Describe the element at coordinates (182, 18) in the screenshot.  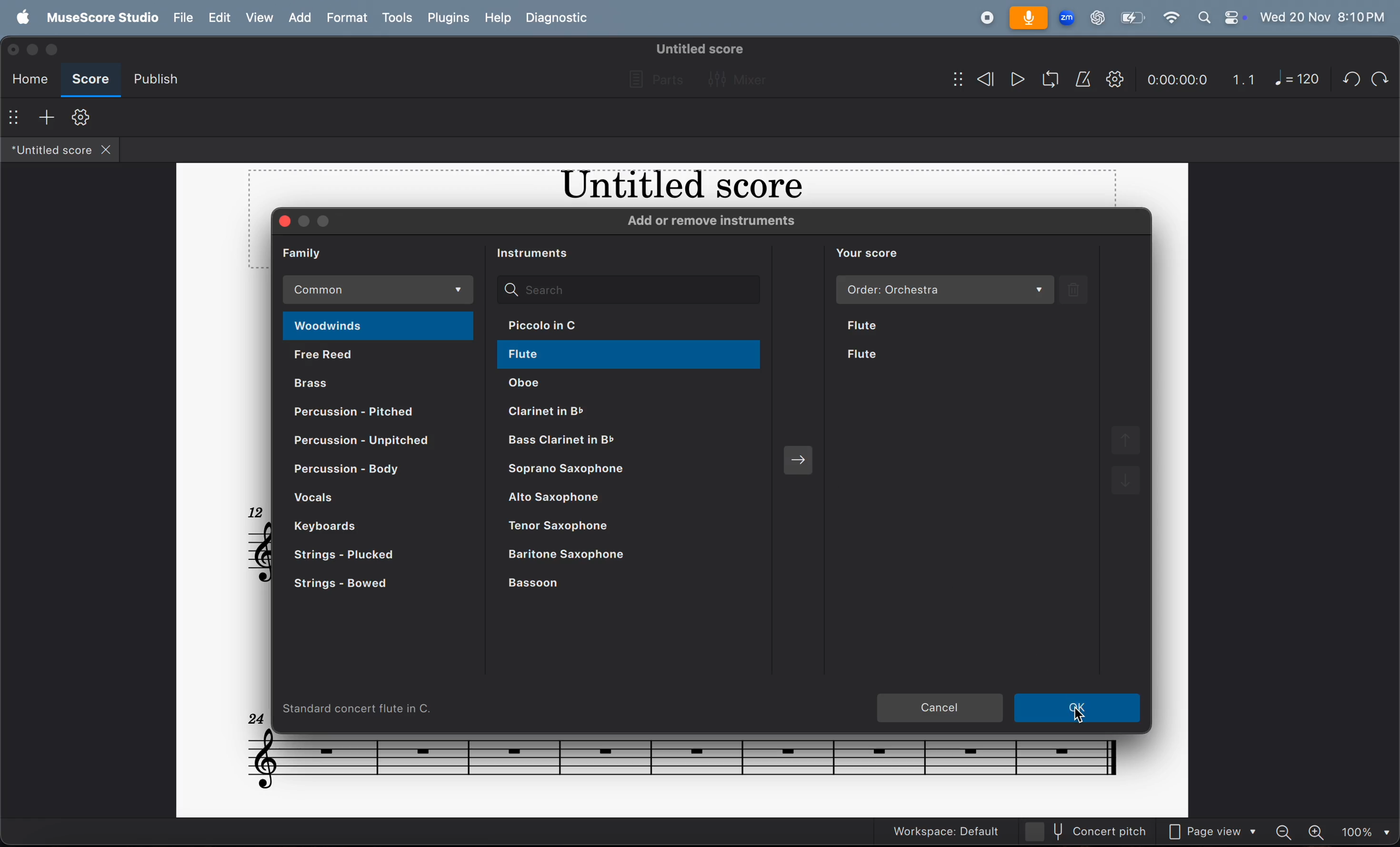
I see `file` at that location.